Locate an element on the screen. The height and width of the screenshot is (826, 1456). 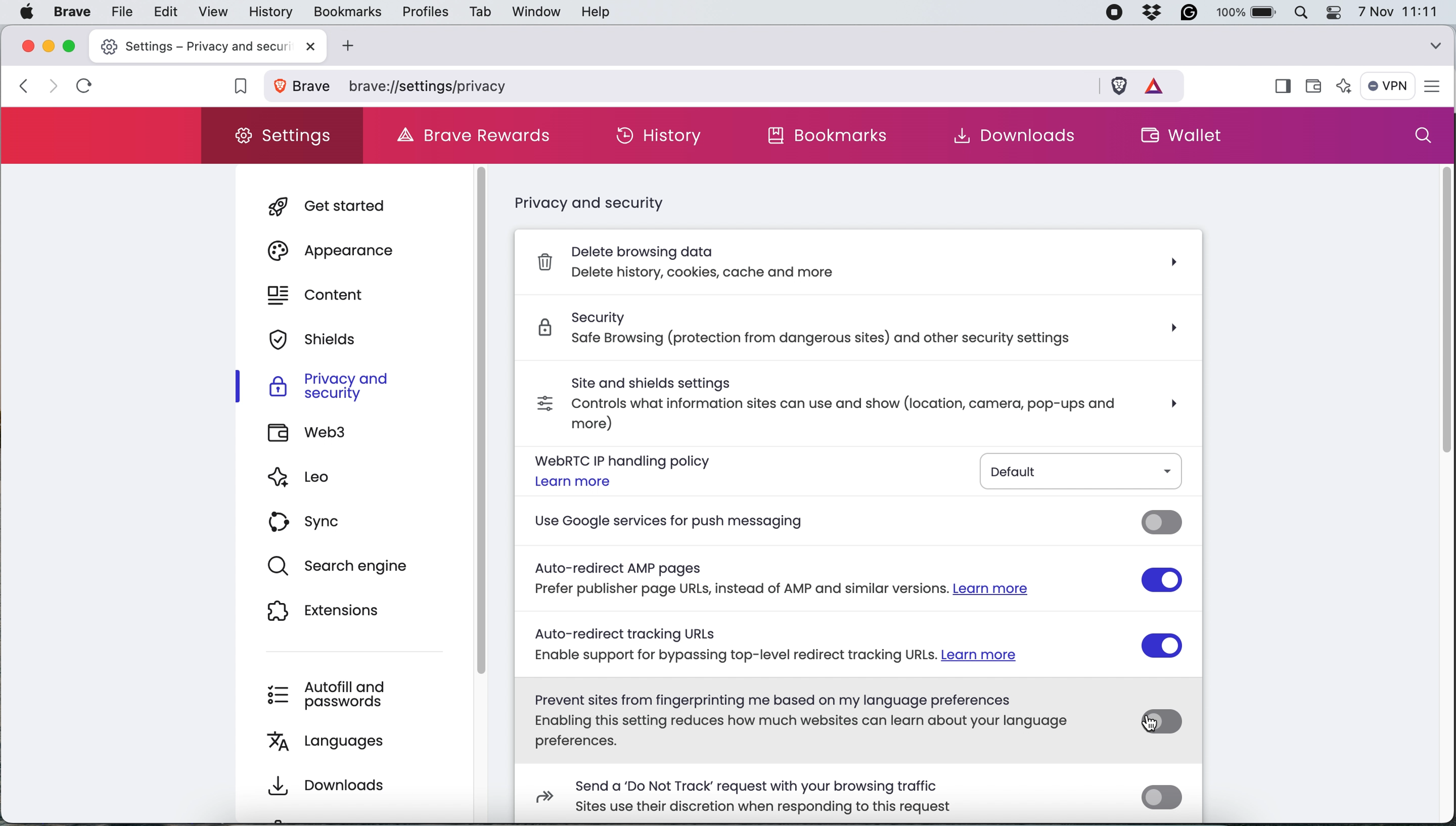
webrtc ip handling policy is located at coordinates (621, 460).